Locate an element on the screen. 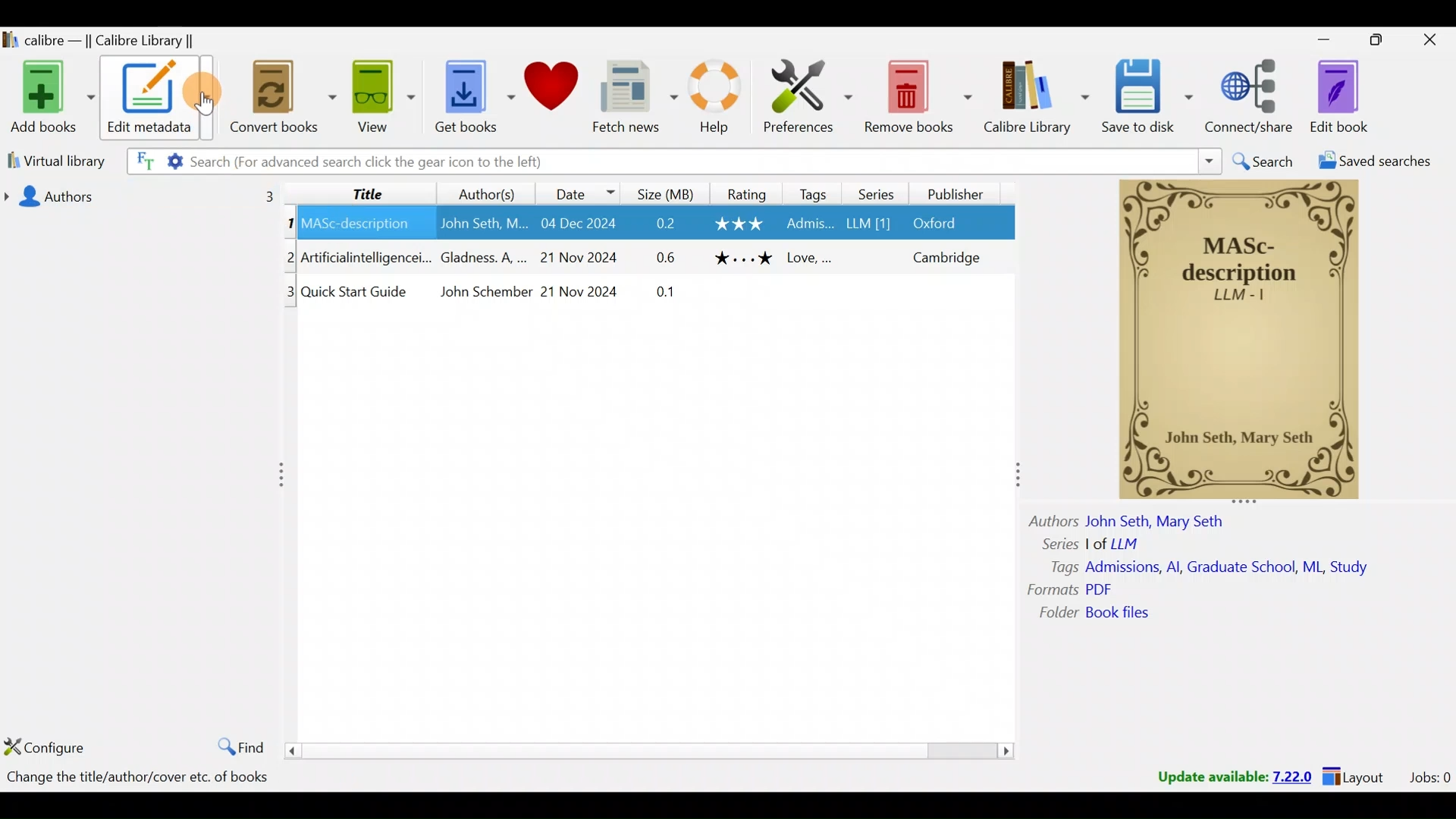 This screenshot has width=1456, height=819. Authors is located at coordinates (143, 197).